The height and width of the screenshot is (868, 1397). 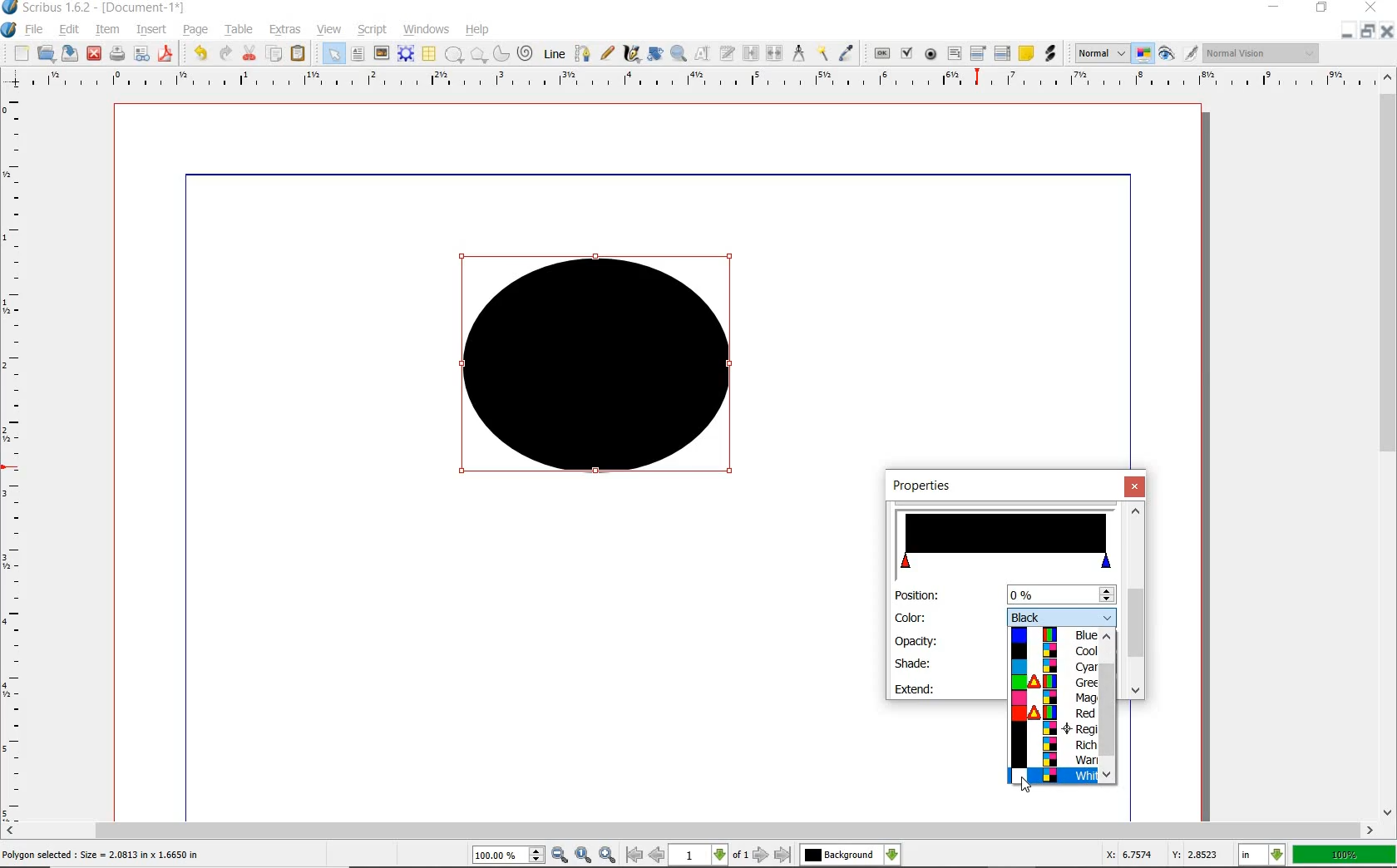 What do you see at coordinates (773, 52) in the screenshot?
I see `UNLINK TEXT FRAME` at bounding box center [773, 52].